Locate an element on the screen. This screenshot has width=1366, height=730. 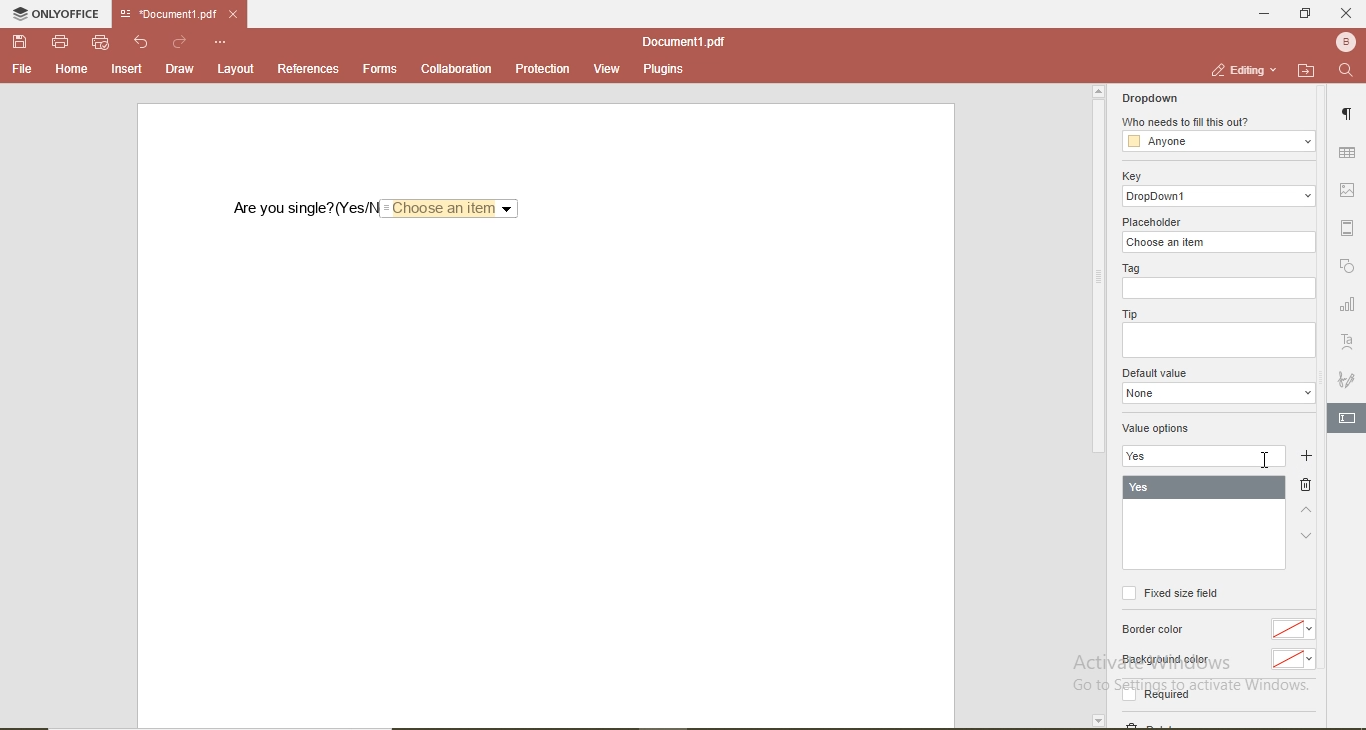
home is located at coordinates (73, 70).